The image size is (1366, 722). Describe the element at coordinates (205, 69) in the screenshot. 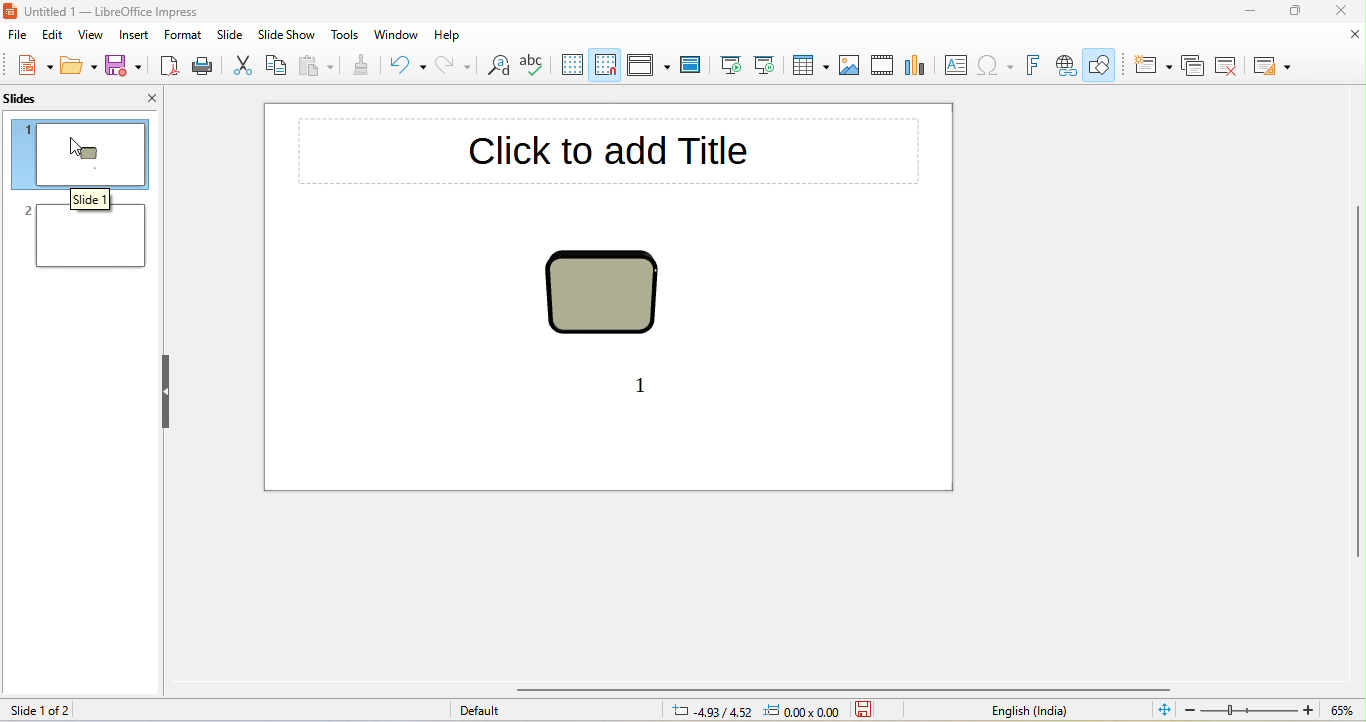

I see `print` at that location.